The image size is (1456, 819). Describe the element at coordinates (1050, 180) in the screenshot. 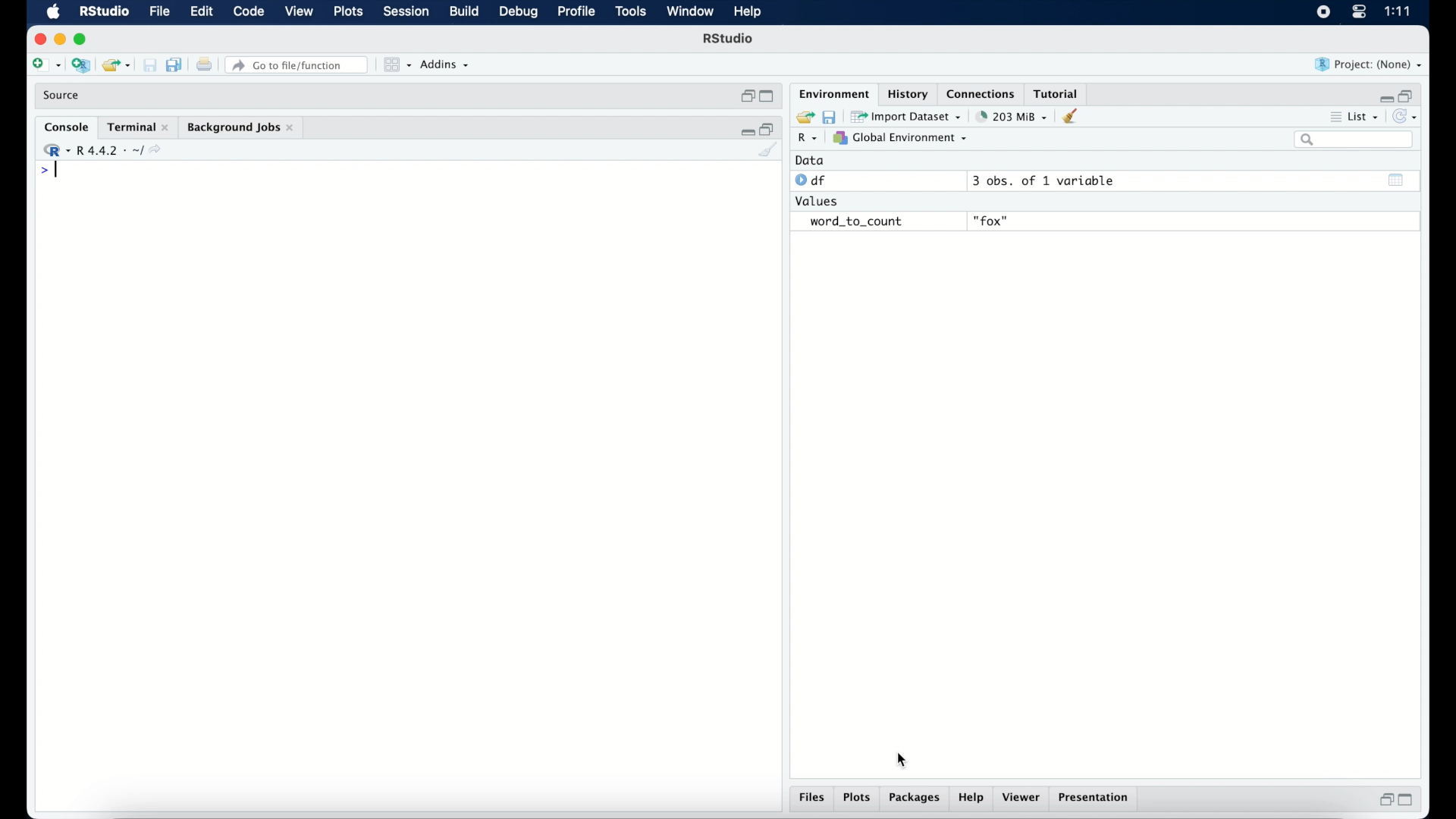

I see `3 obs, of 1 variable` at that location.